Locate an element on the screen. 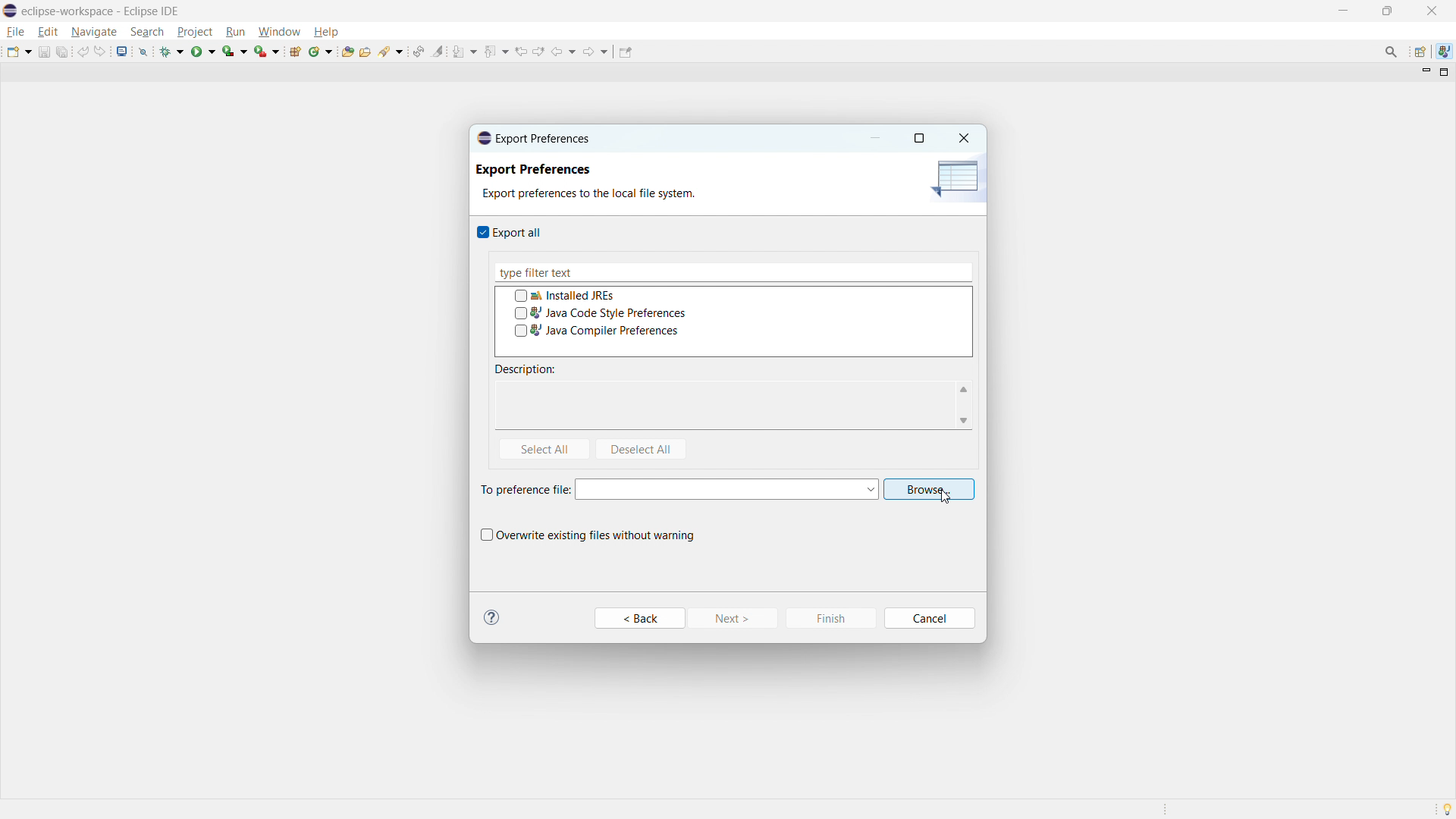 The width and height of the screenshot is (1456, 819). Cancel is located at coordinates (931, 618).